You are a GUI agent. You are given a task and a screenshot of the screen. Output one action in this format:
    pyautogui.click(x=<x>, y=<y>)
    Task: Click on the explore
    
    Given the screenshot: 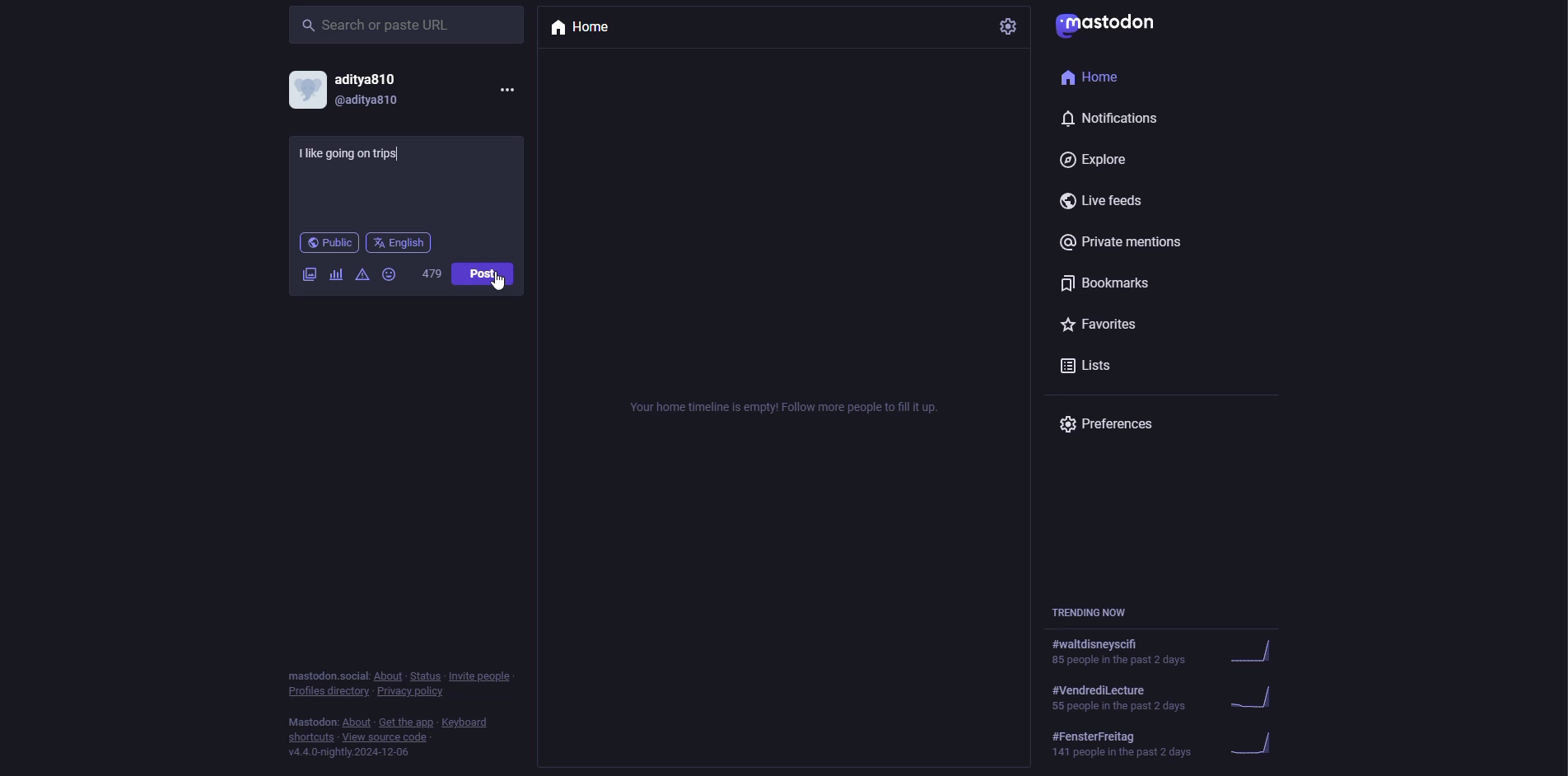 What is the action you would take?
    pyautogui.click(x=1094, y=160)
    